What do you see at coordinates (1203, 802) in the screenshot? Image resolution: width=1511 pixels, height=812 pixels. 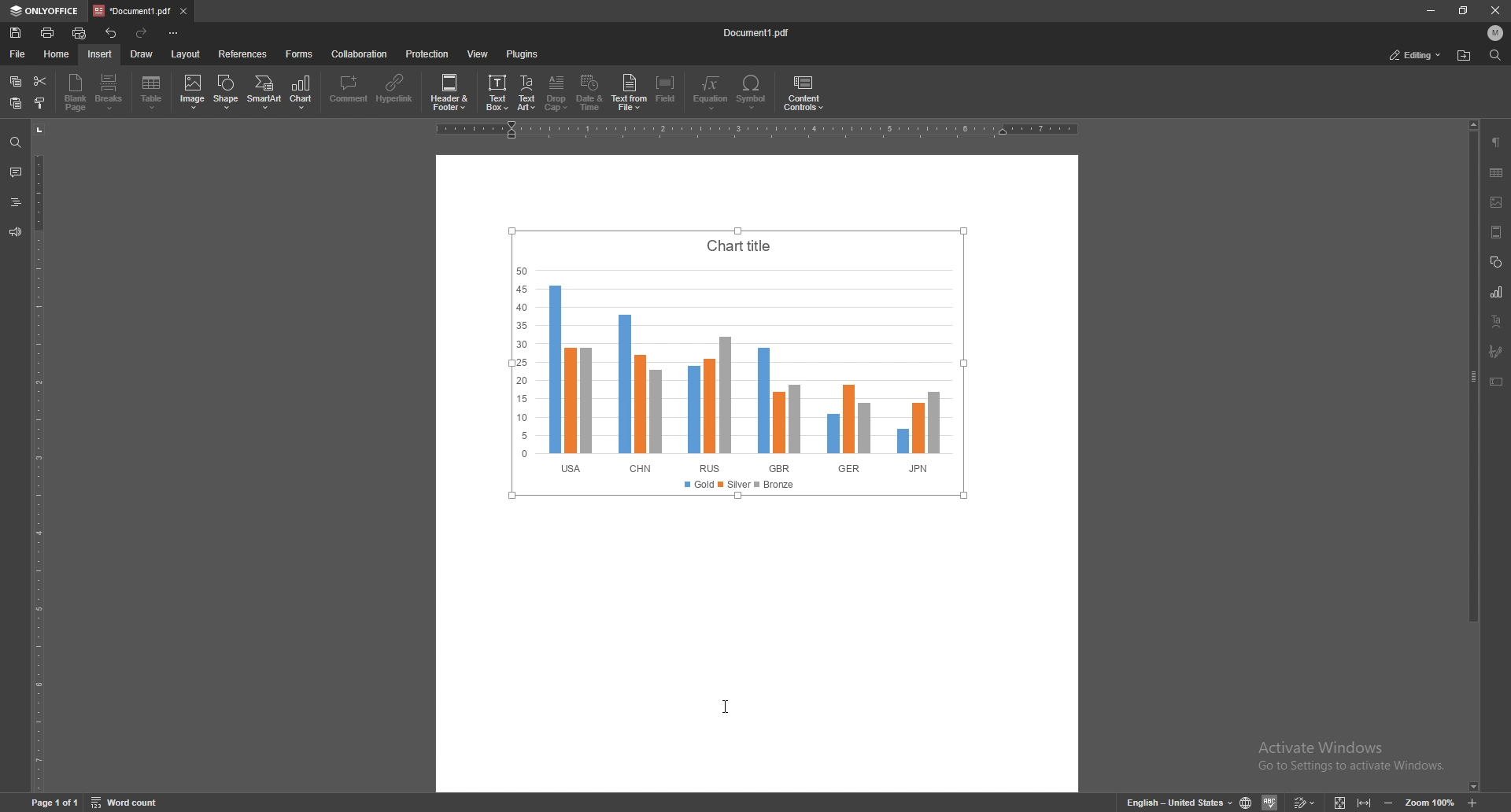 I see `English-United States` at bounding box center [1203, 802].